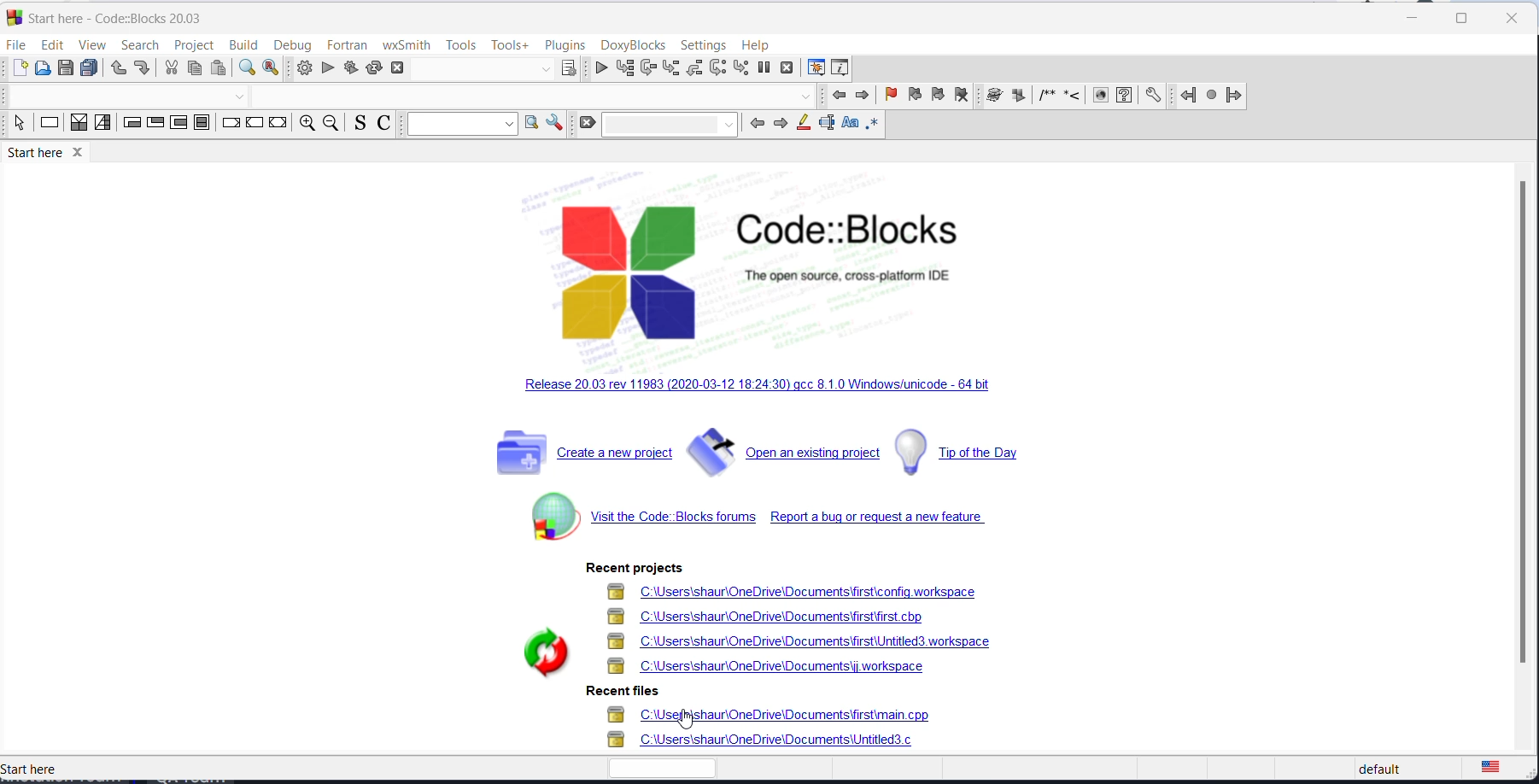 The image size is (1539, 784). What do you see at coordinates (588, 125) in the screenshot?
I see `clear` at bounding box center [588, 125].